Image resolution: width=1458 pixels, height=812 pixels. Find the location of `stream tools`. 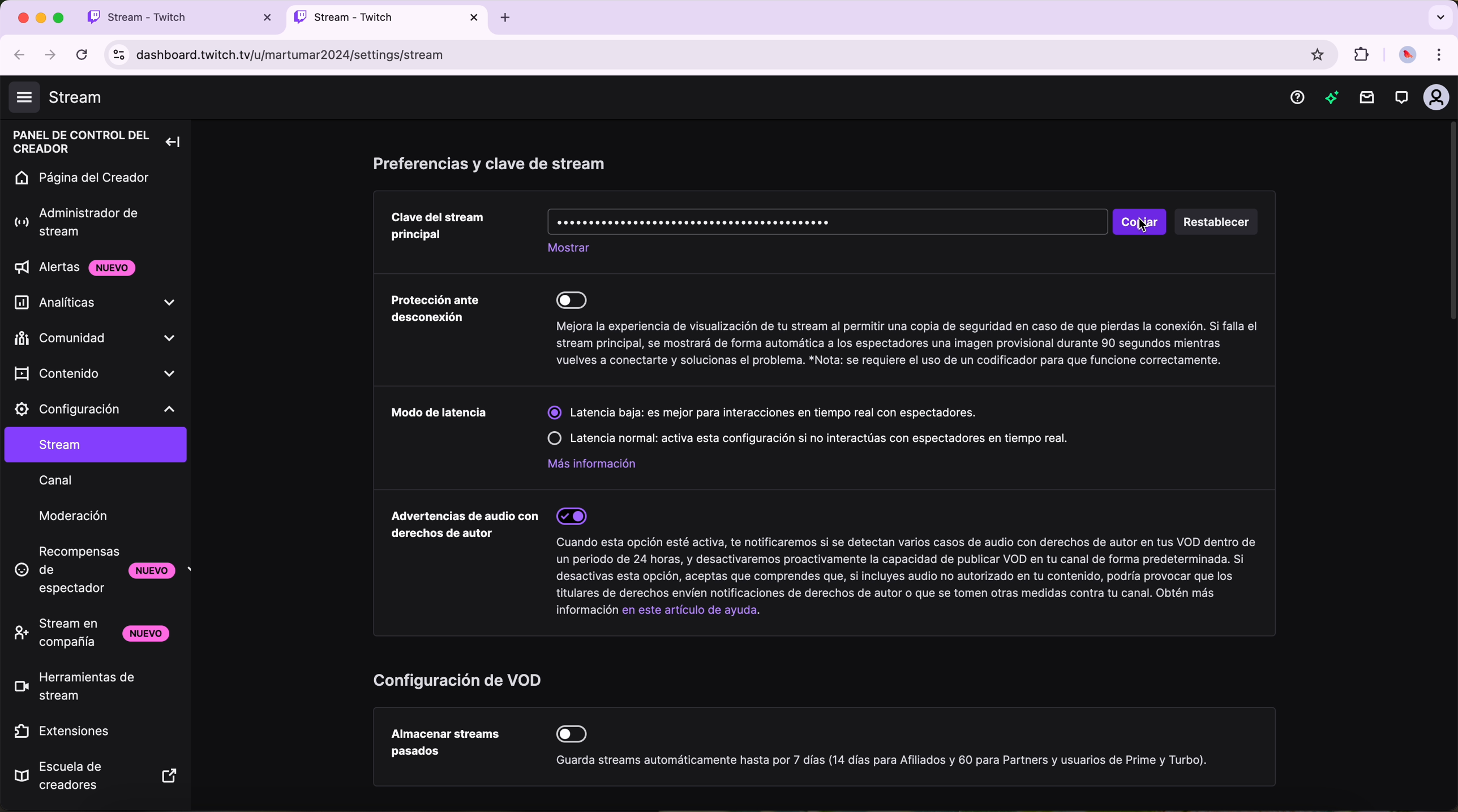

stream tools is located at coordinates (87, 687).